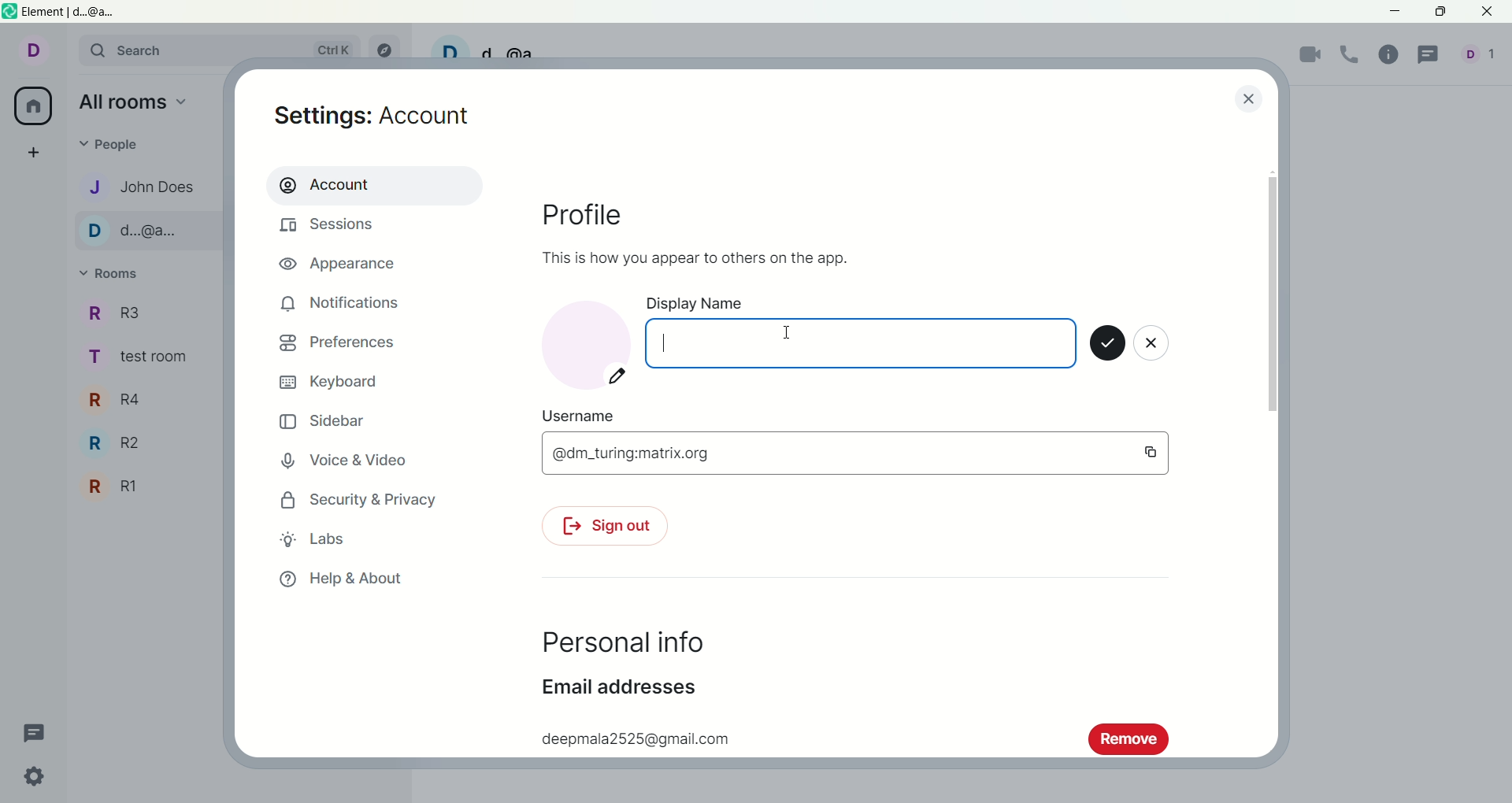 The width and height of the screenshot is (1512, 803). What do you see at coordinates (344, 266) in the screenshot?
I see `appearance` at bounding box center [344, 266].